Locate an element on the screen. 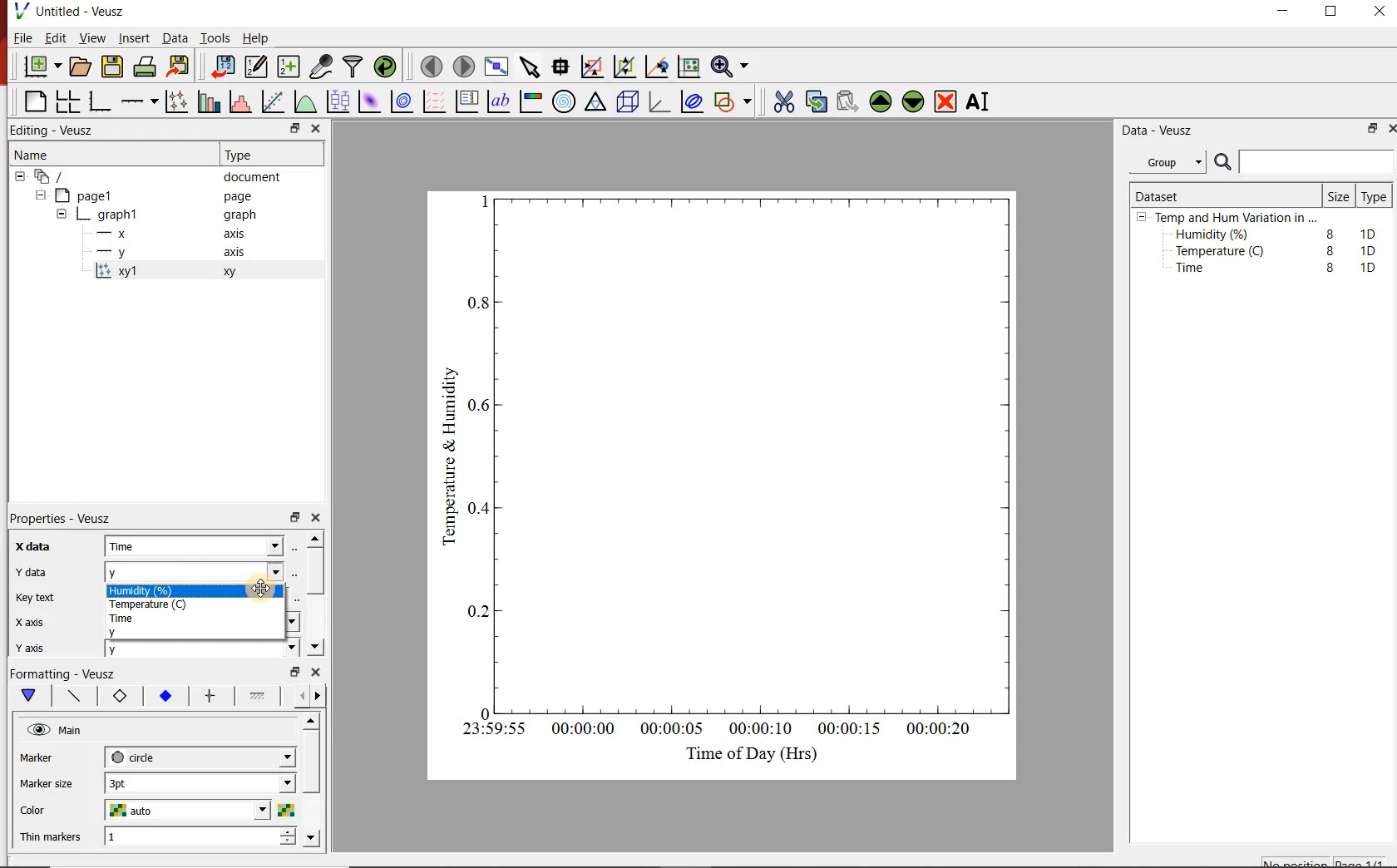 The width and height of the screenshot is (1397, 868). hide sub menu is located at coordinates (62, 213).